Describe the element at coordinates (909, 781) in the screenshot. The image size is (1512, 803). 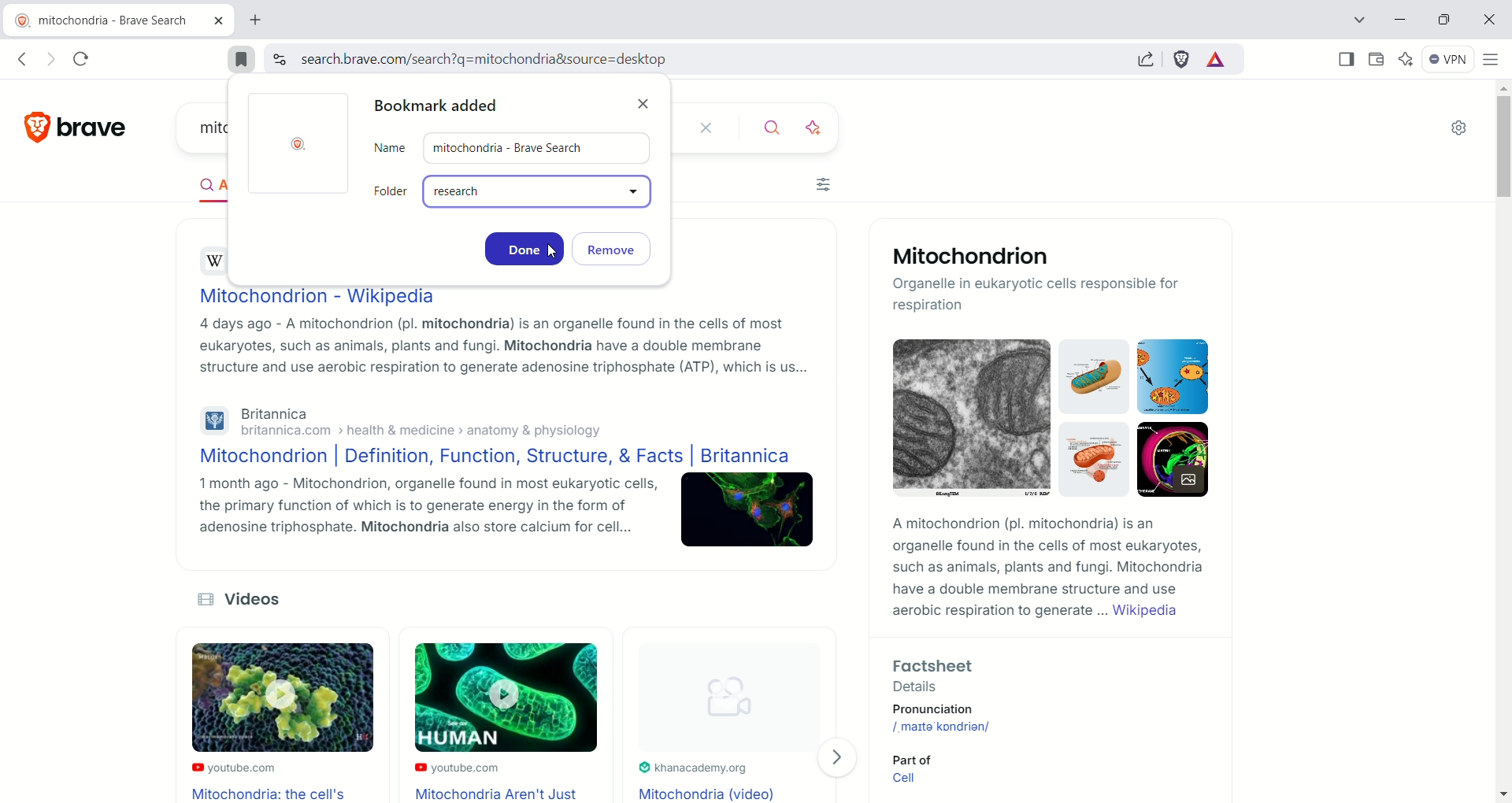
I see `Cell` at that location.